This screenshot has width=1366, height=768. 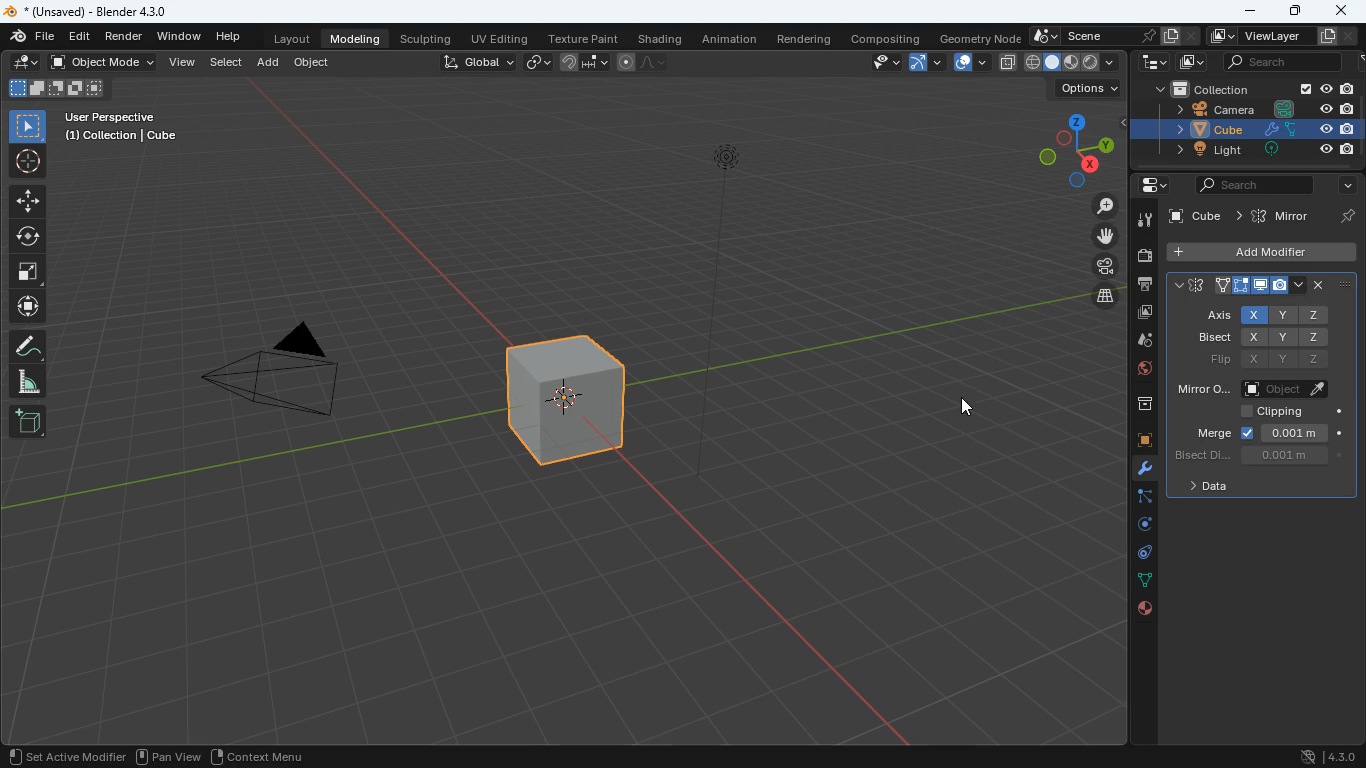 What do you see at coordinates (480, 62) in the screenshot?
I see `global` at bounding box center [480, 62].